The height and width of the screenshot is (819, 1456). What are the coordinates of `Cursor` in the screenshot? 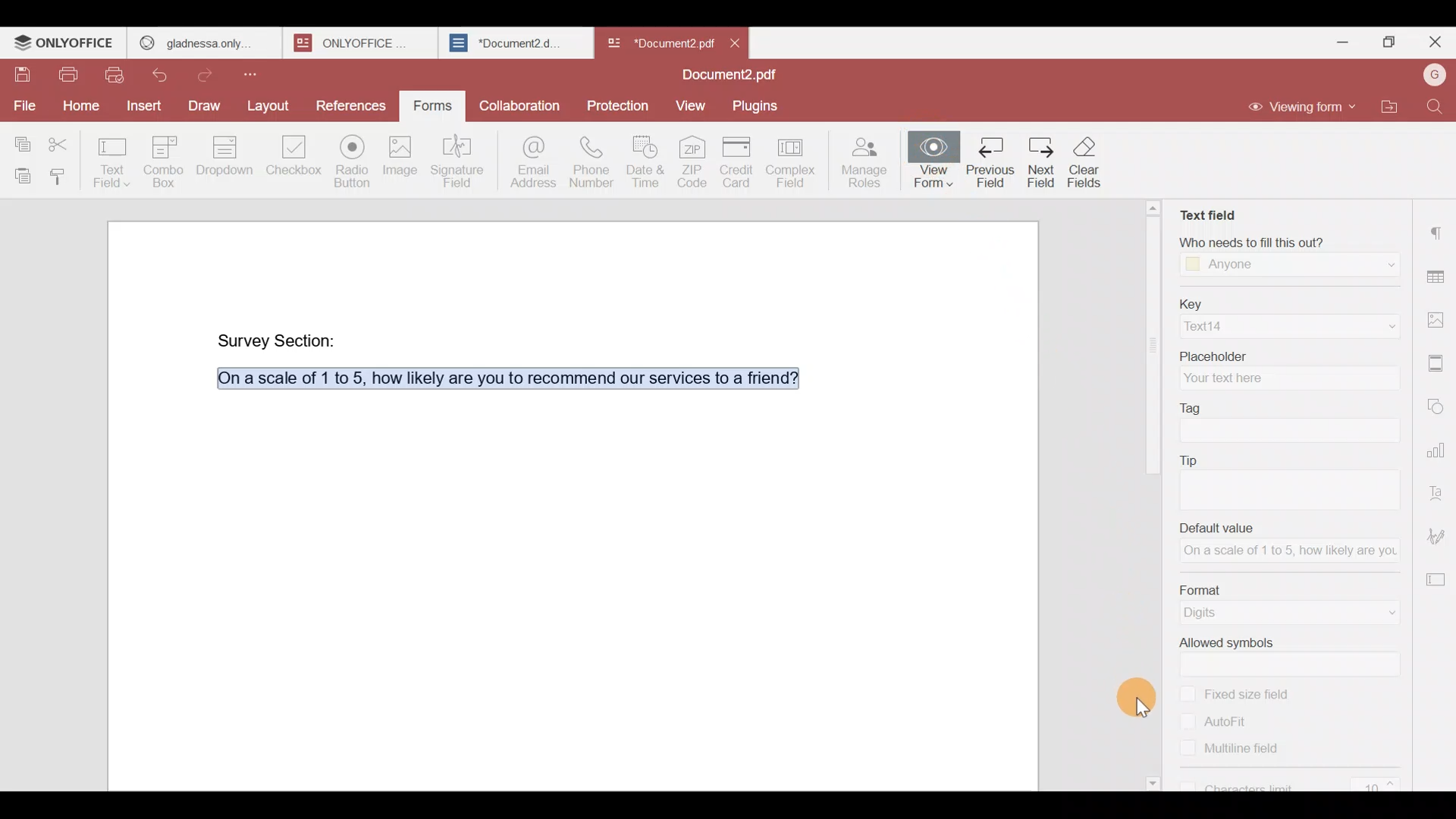 It's located at (1139, 695).